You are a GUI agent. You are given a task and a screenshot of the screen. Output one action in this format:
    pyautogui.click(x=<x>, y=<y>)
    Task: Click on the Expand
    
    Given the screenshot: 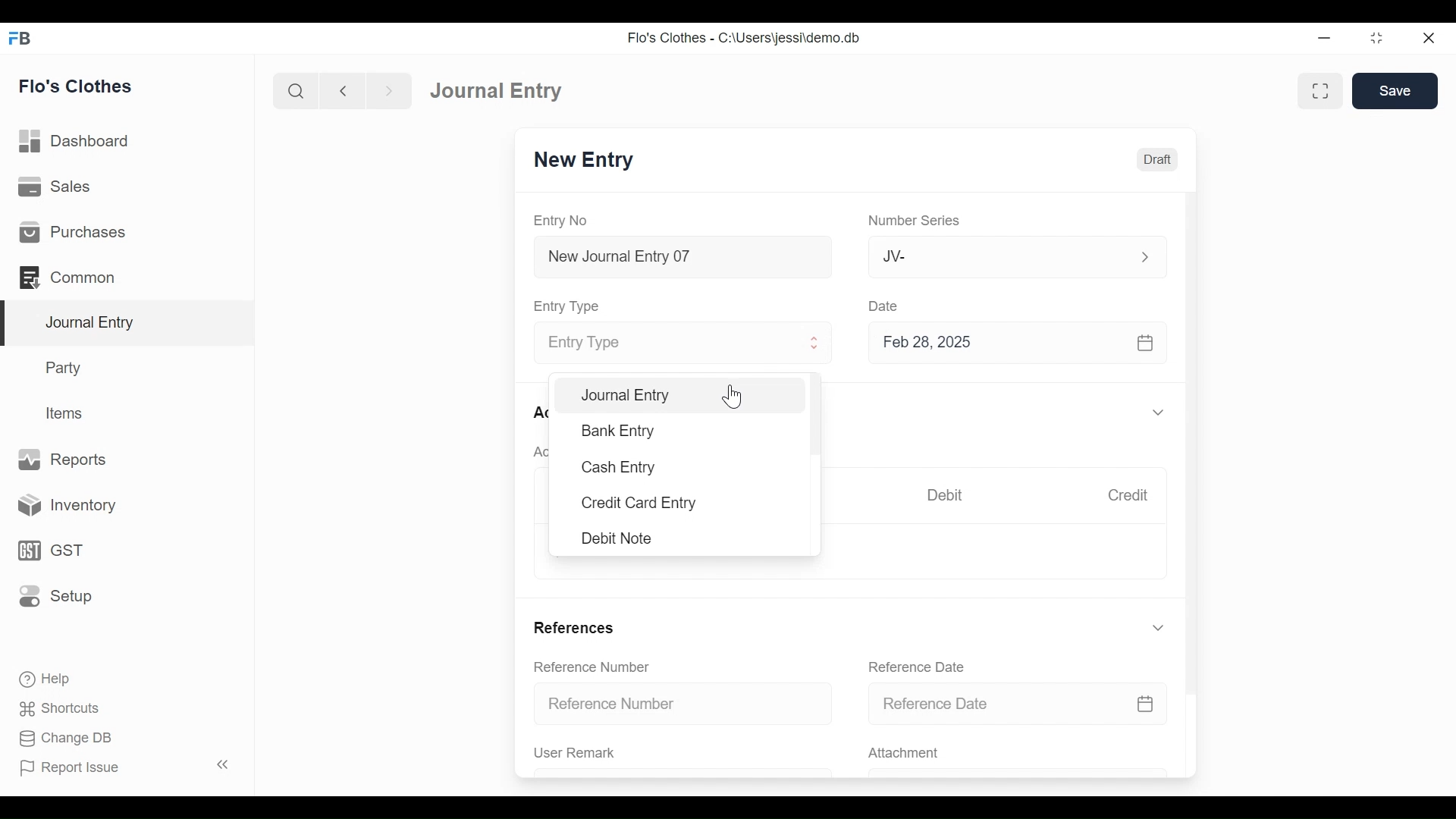 What is the action you would take?
    pyautogui.click(x=1144, y=257)
    